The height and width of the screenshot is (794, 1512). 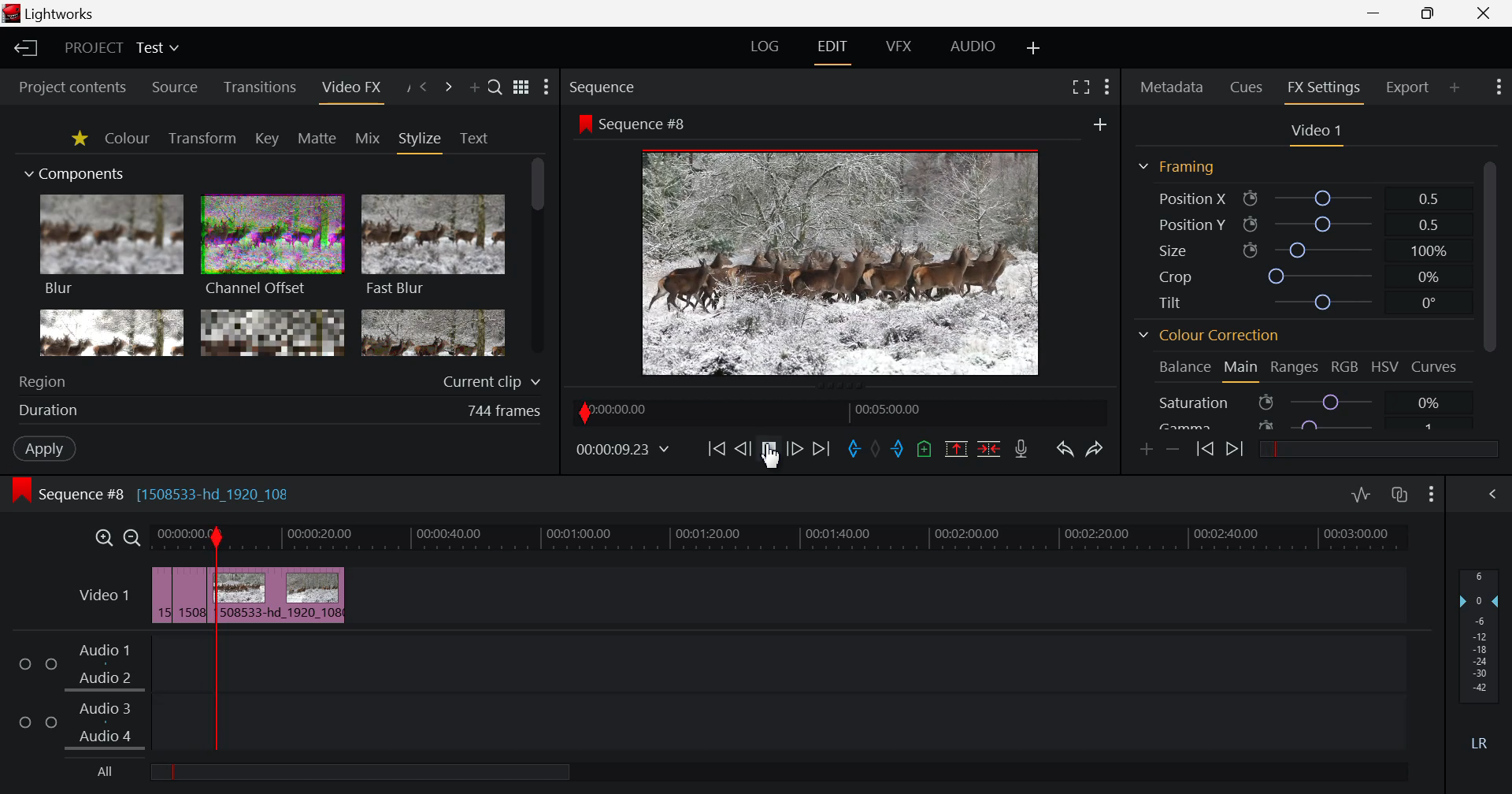 I want to click on Full Screen, so click(x=1077, y=90).